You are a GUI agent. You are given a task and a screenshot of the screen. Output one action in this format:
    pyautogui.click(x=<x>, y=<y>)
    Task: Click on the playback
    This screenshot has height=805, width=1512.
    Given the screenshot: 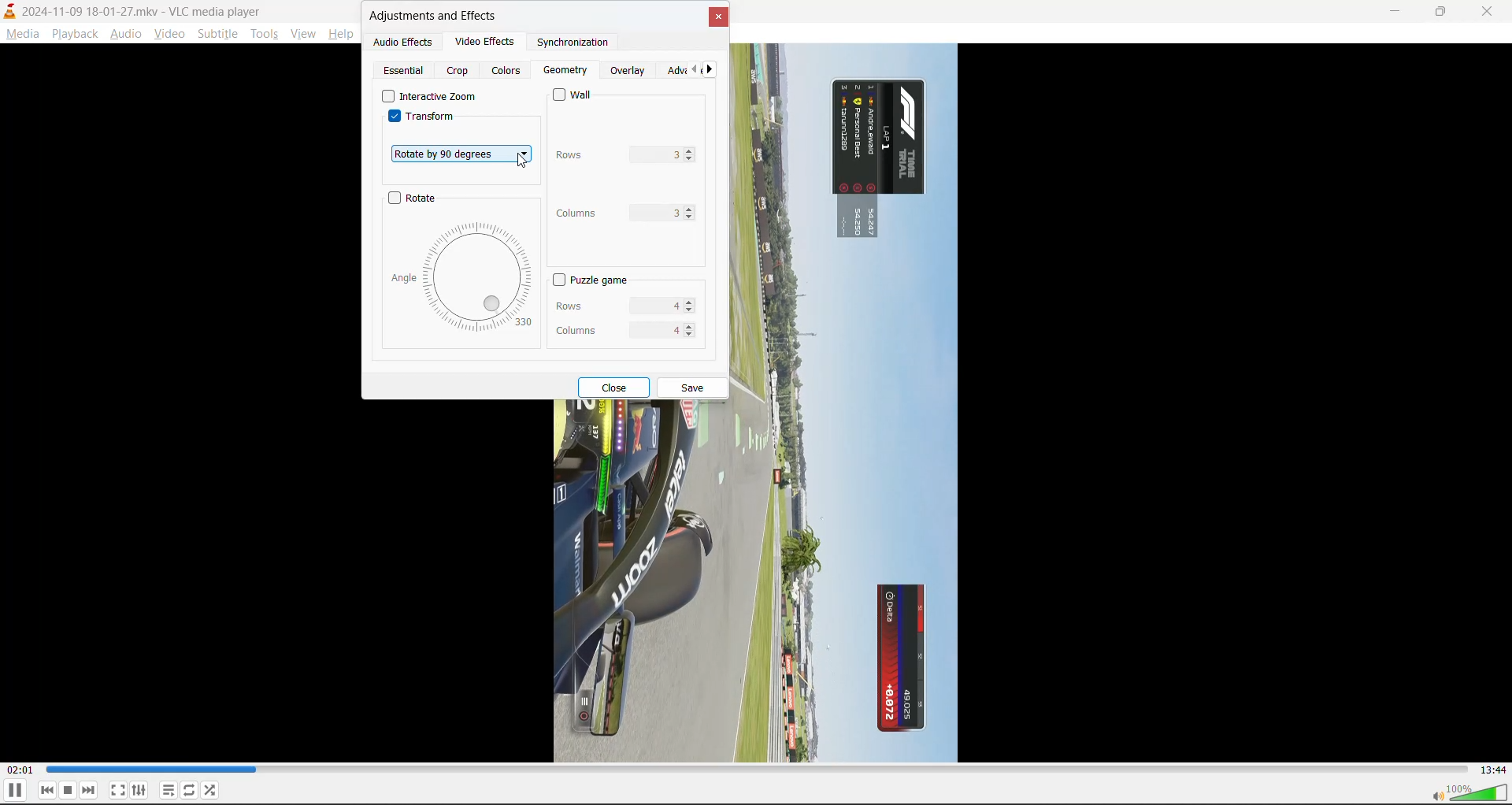 What is the action you would take?
    pyautogui.click(x=72, y=32)
    